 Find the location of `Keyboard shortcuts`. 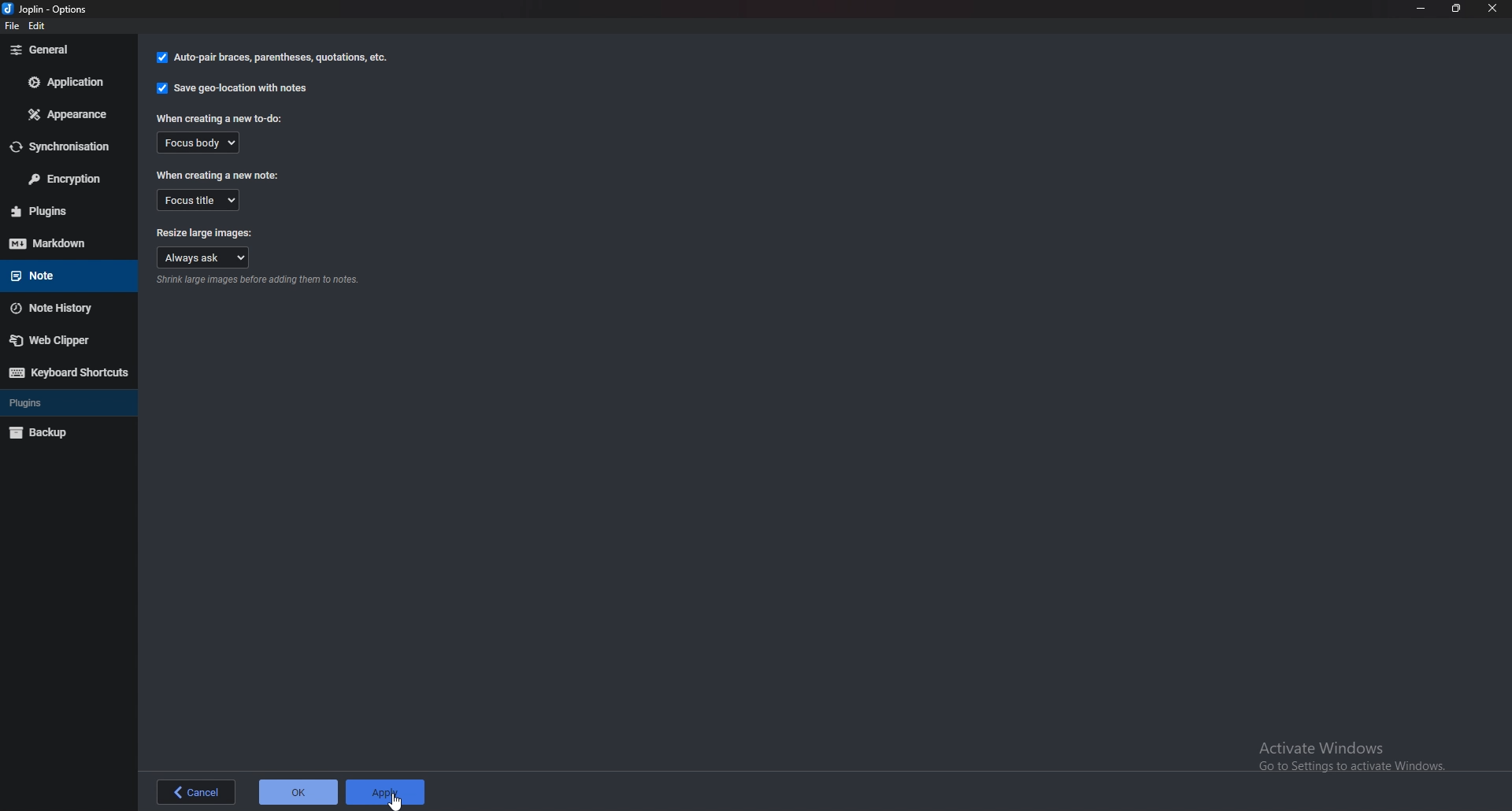

Keyboard shortcuts is located at coordinates (67, 372).